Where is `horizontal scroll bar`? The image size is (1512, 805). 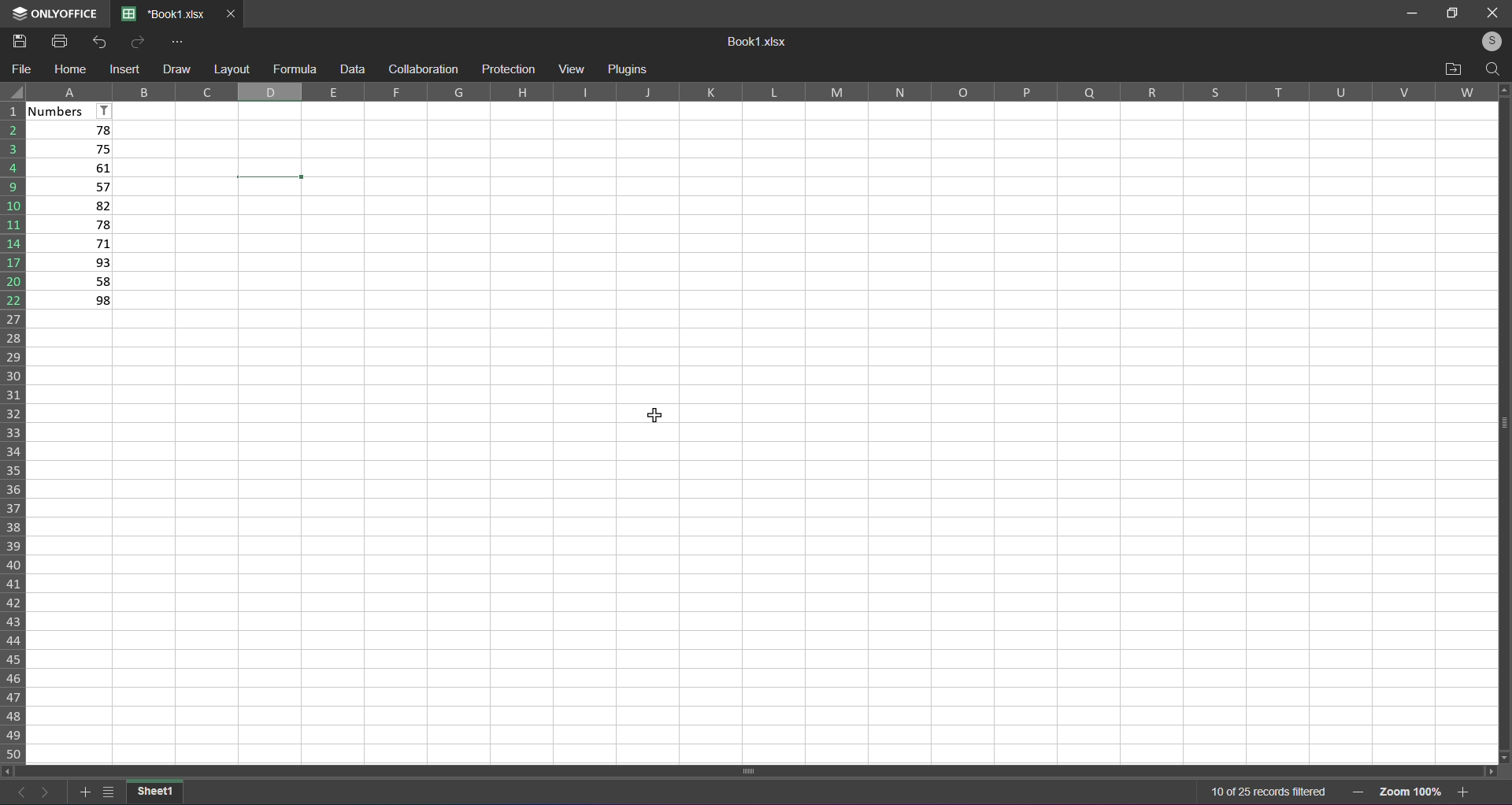
horizontal scroll bar is located at coordinates (754, 769).